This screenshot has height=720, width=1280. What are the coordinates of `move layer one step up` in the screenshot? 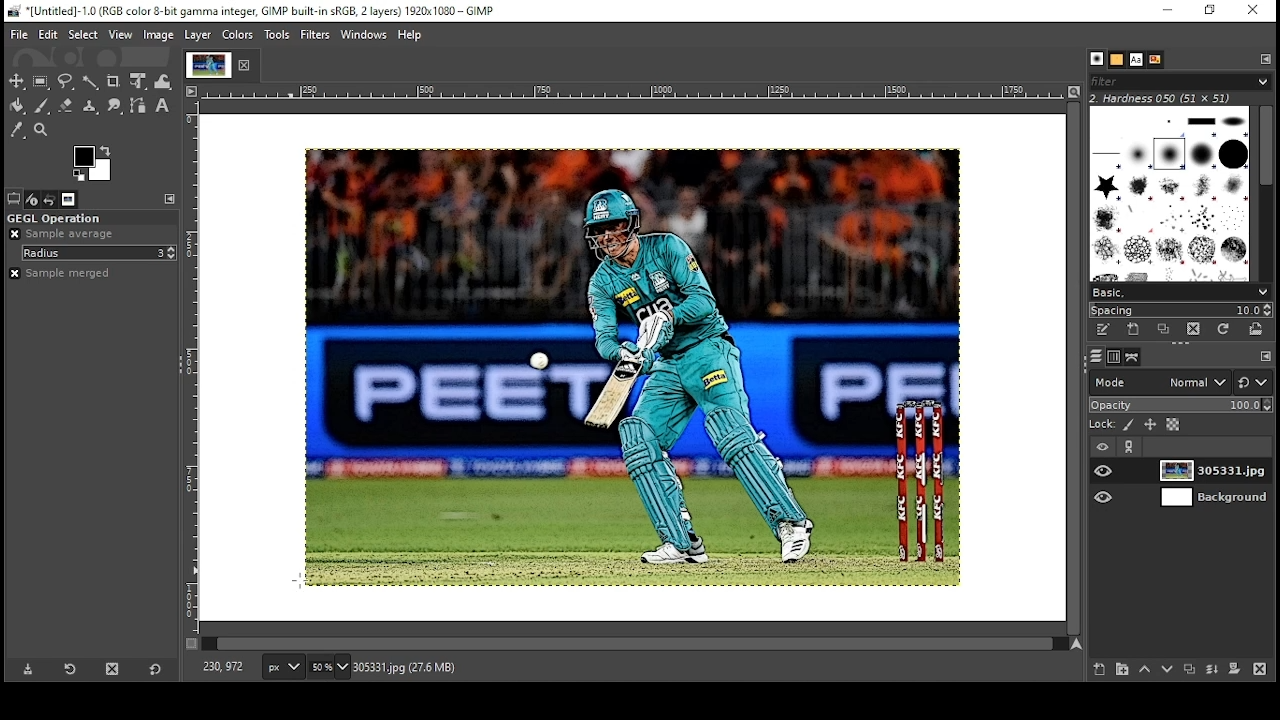 It's located at (1145, 670).